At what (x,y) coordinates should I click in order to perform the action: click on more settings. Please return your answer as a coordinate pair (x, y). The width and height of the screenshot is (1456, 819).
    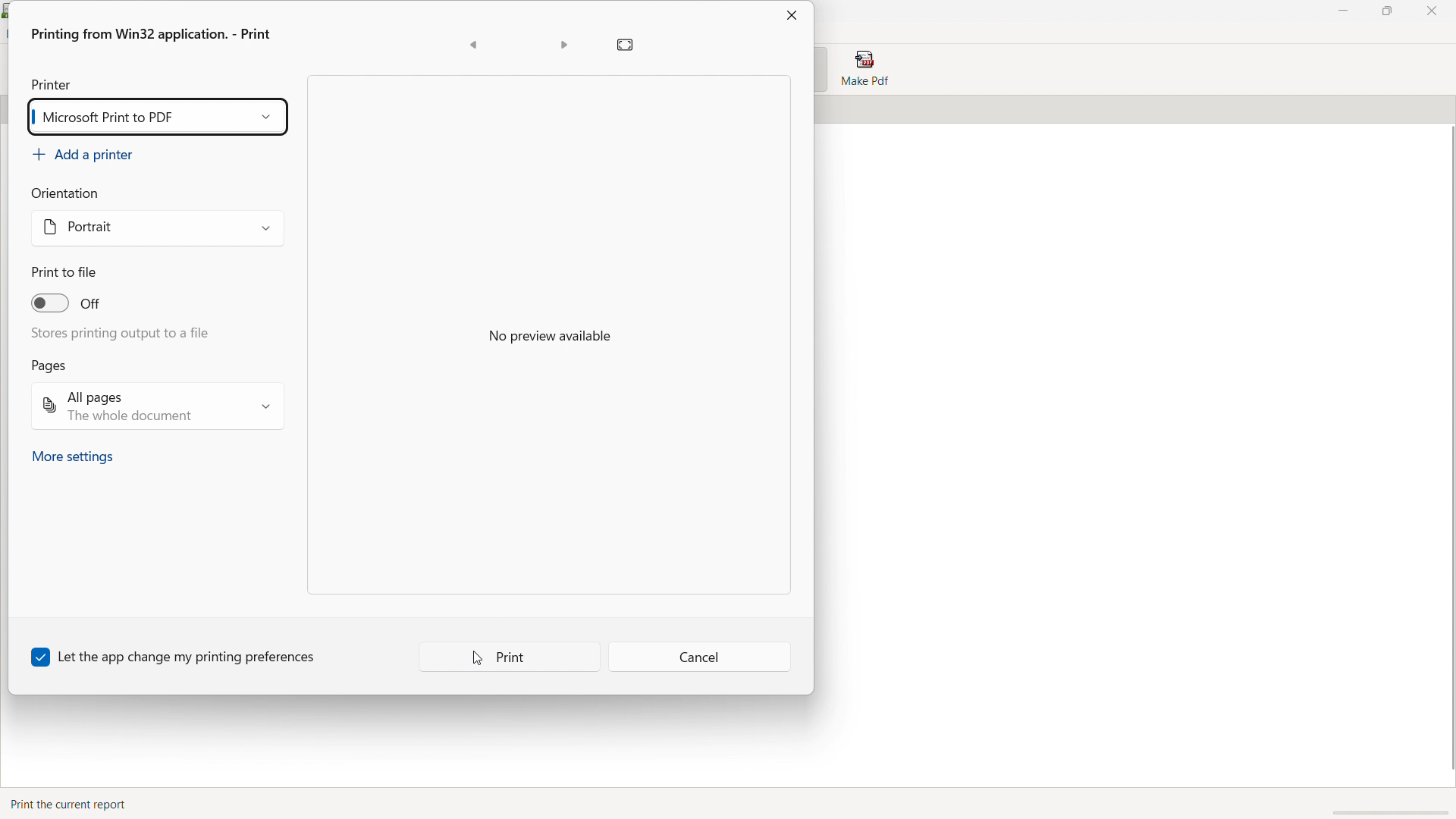
    Looking at the image, I should click on (74, 458).